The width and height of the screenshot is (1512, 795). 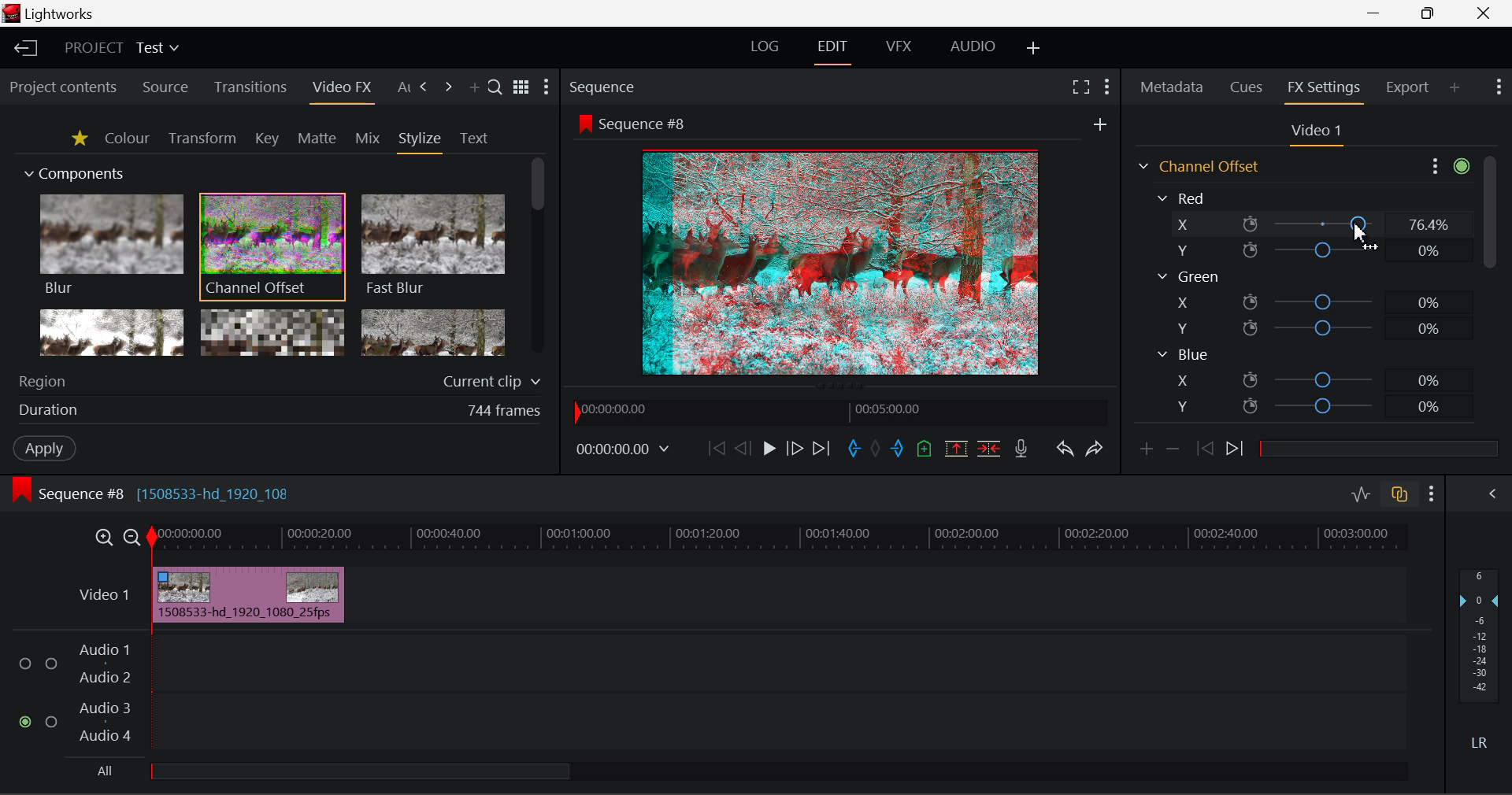 What do you see at coordinates (448, 87) in the screenshot?
I see `Next Tab` at bounding box center [448, 87].